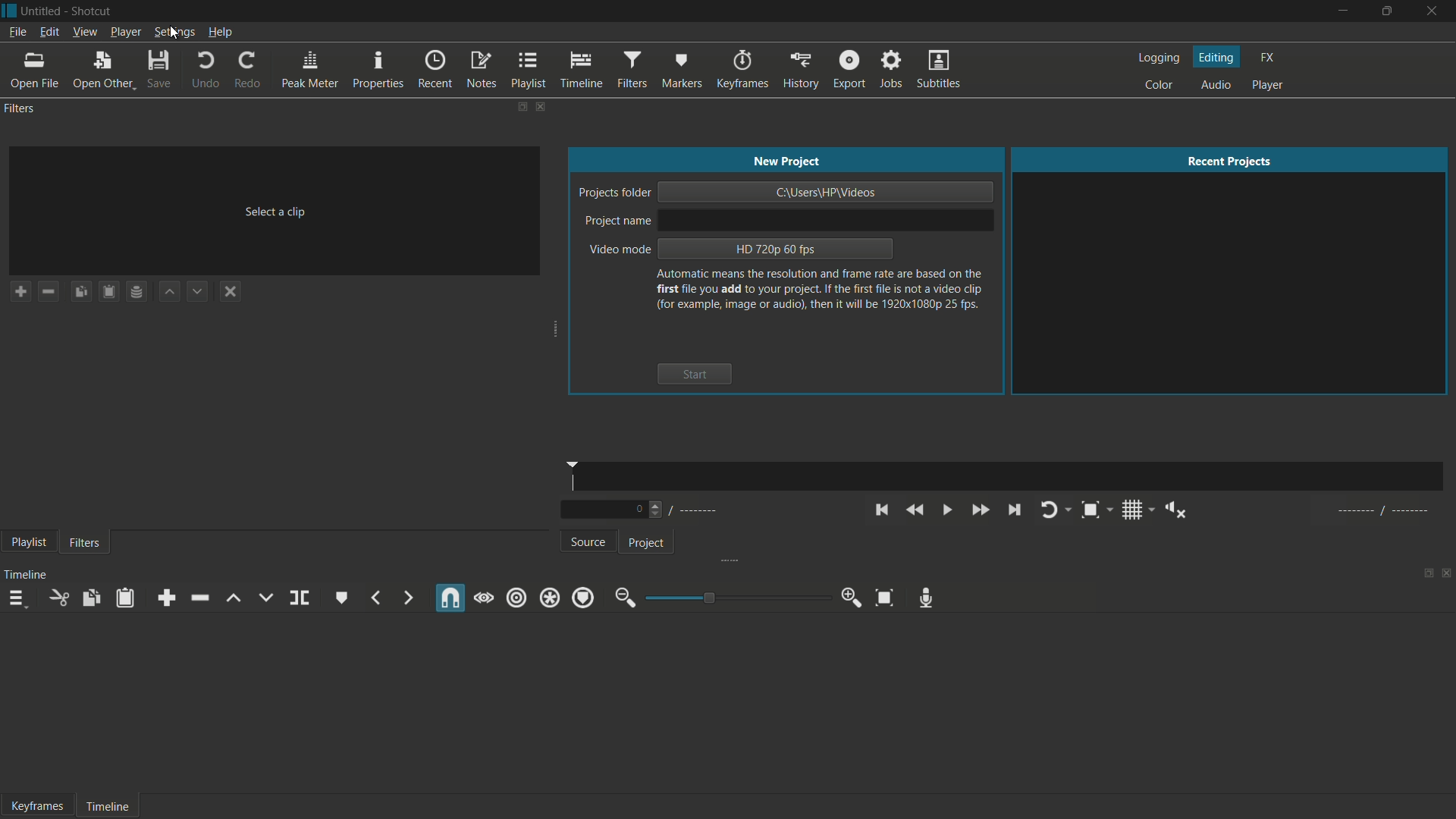 The image size is (1456, 819). I want to click on Number, so click(642, 510).